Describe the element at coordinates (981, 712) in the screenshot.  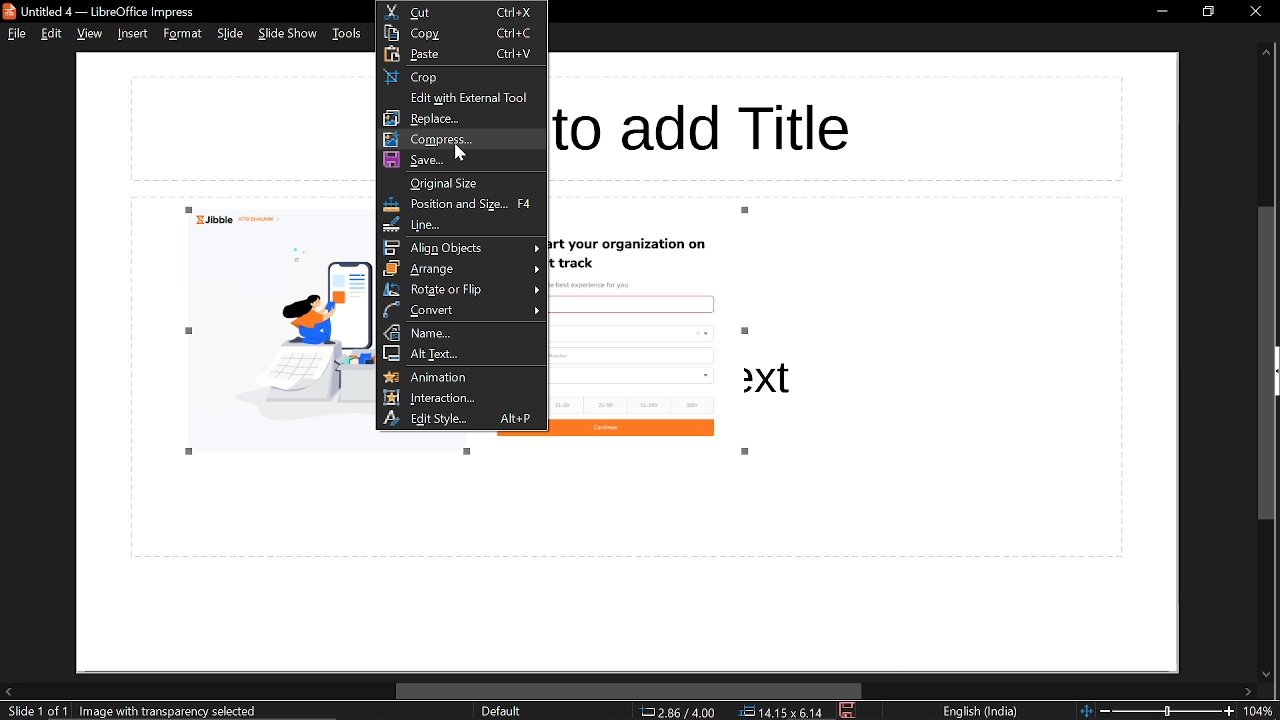
I see `language` at that location.